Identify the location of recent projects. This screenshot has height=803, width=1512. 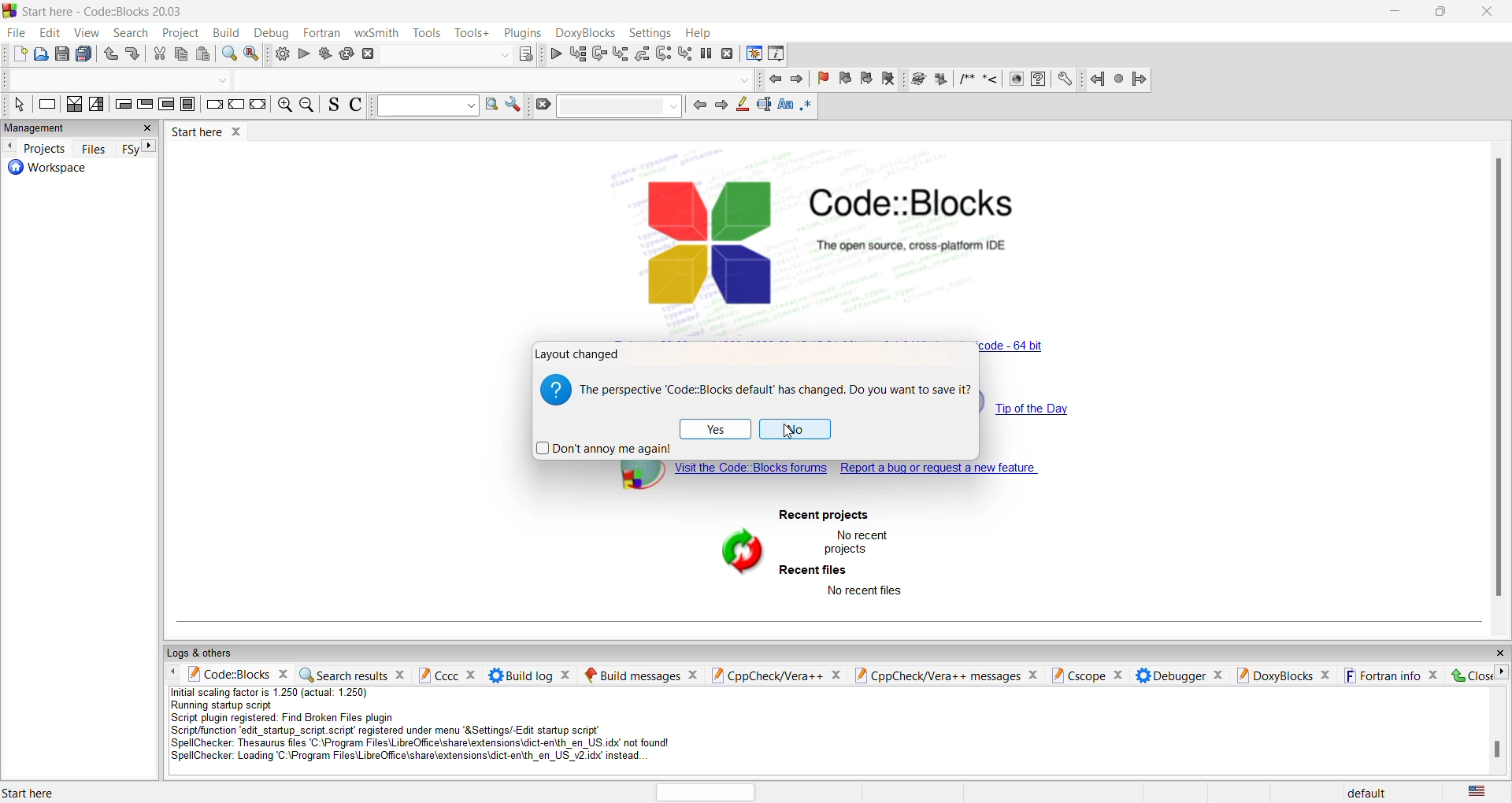
(824, 516).